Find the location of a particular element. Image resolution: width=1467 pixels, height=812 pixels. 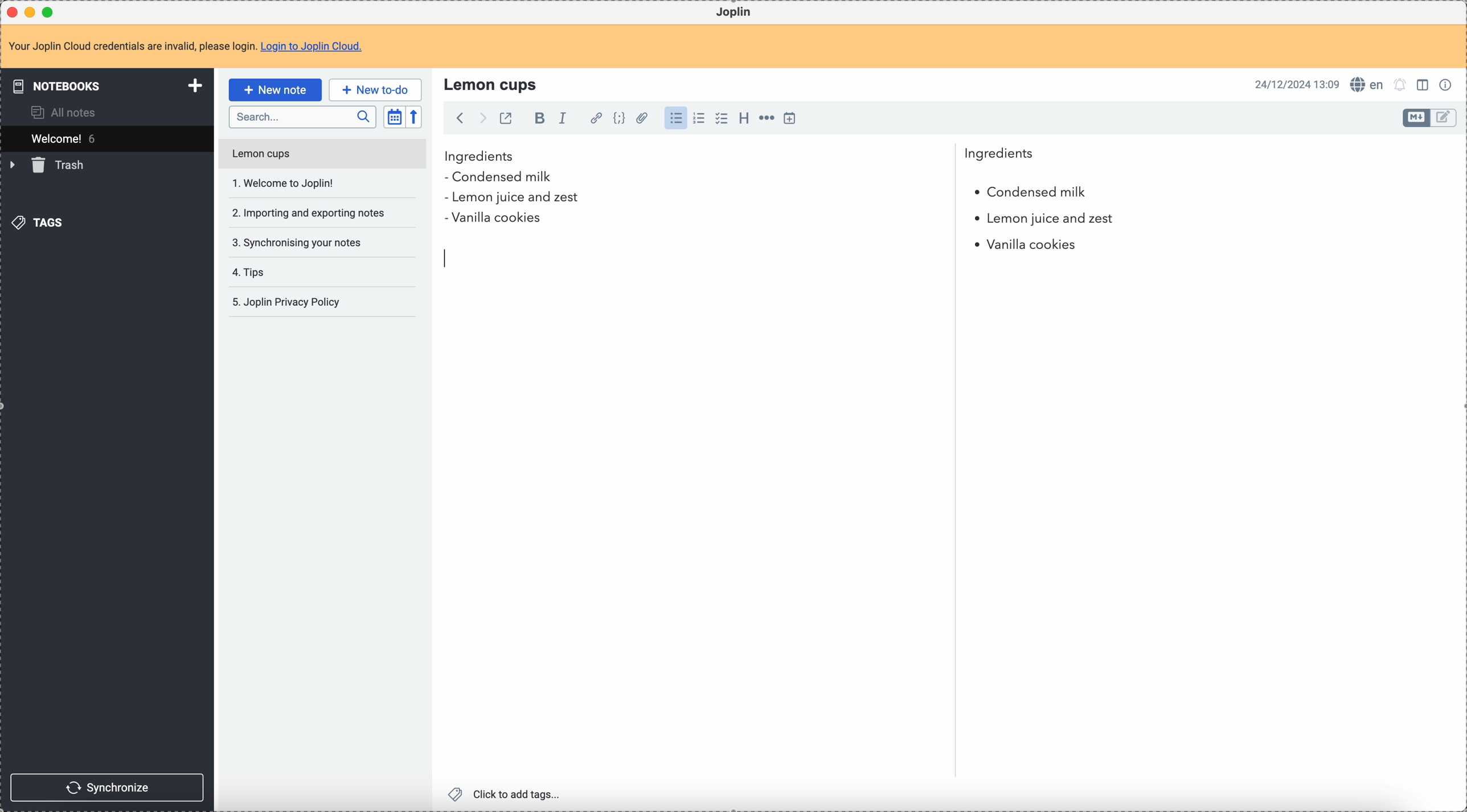

foward is located at coordinates (481, 118).